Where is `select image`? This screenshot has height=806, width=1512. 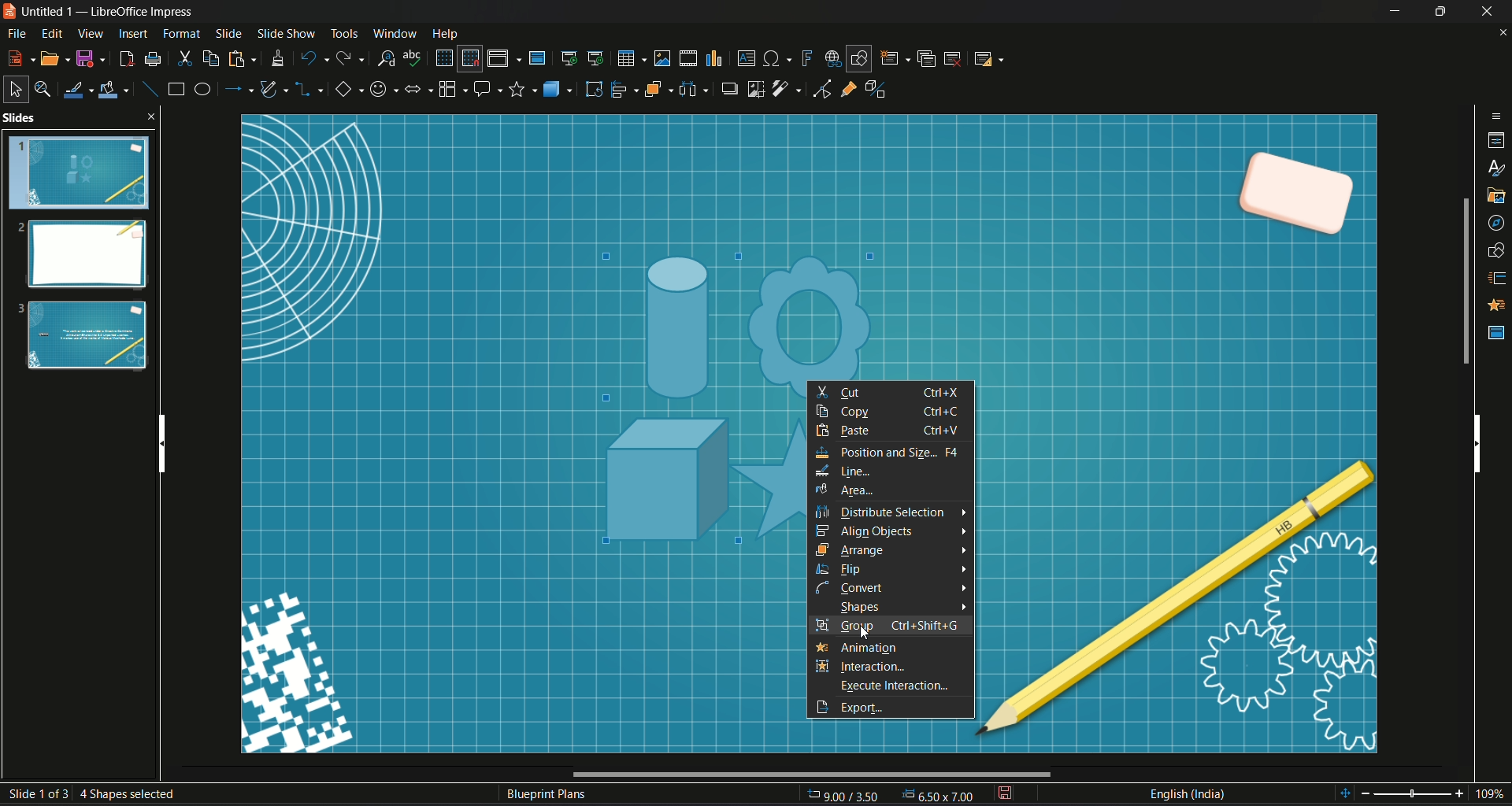
select image is located at coordinates (693, 87).